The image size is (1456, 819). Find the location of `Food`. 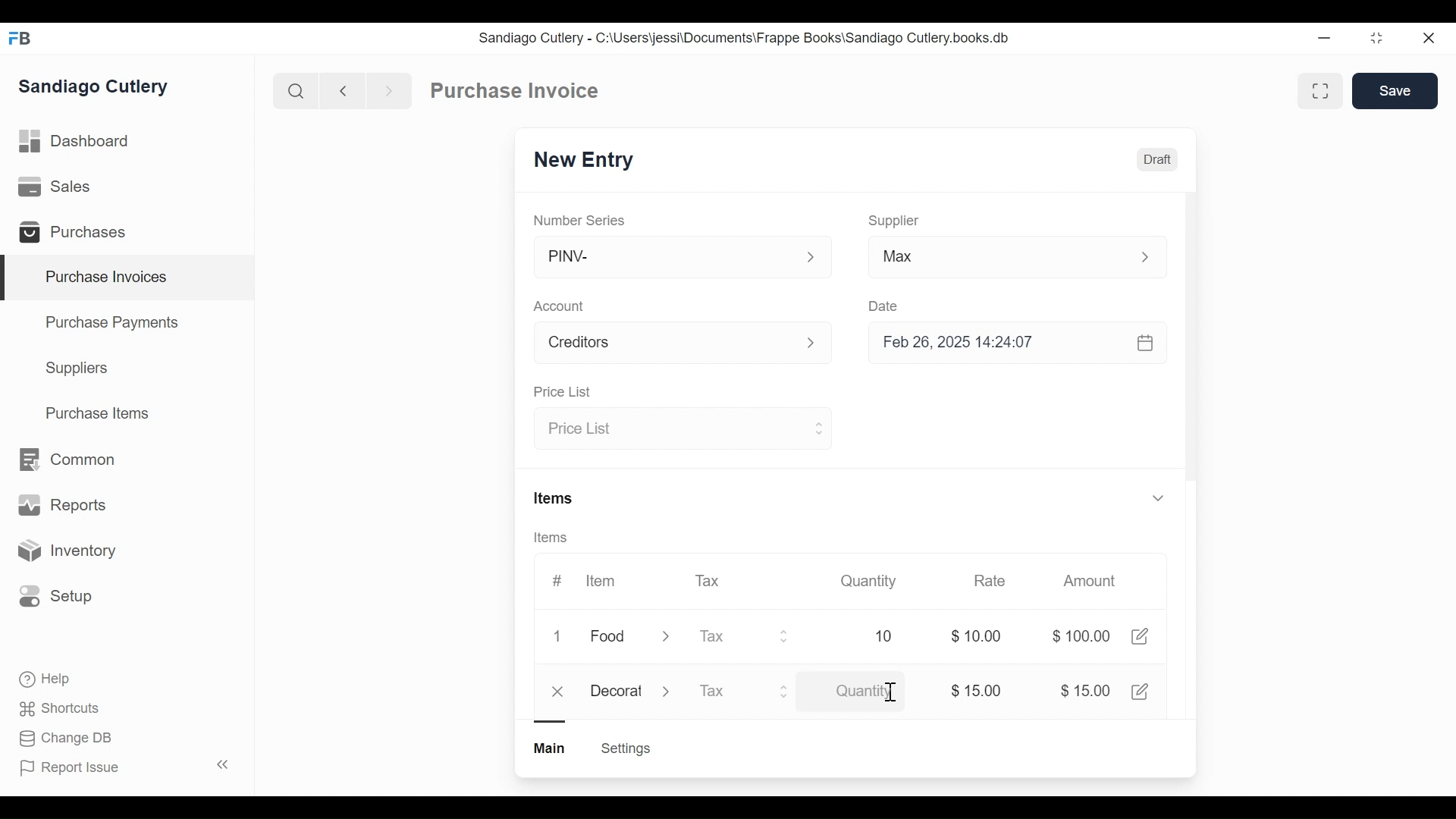

Food is located at coordinates (610, 638).